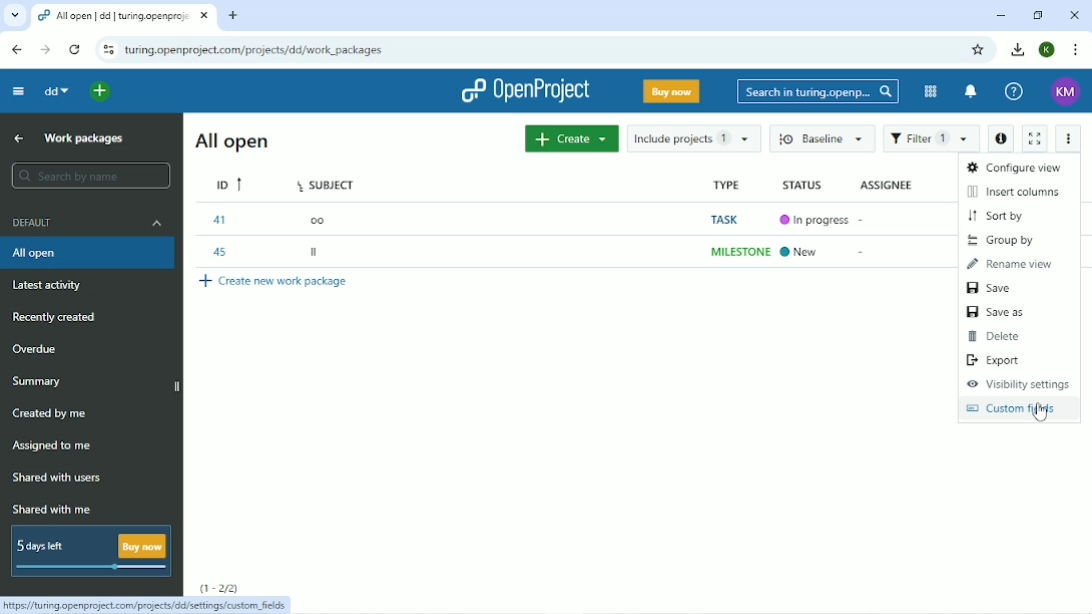 This screenshot has width=1092, height=614. Describe the element at coordinates (1005, 240) in the screenshot. I see `Group by` at that location.